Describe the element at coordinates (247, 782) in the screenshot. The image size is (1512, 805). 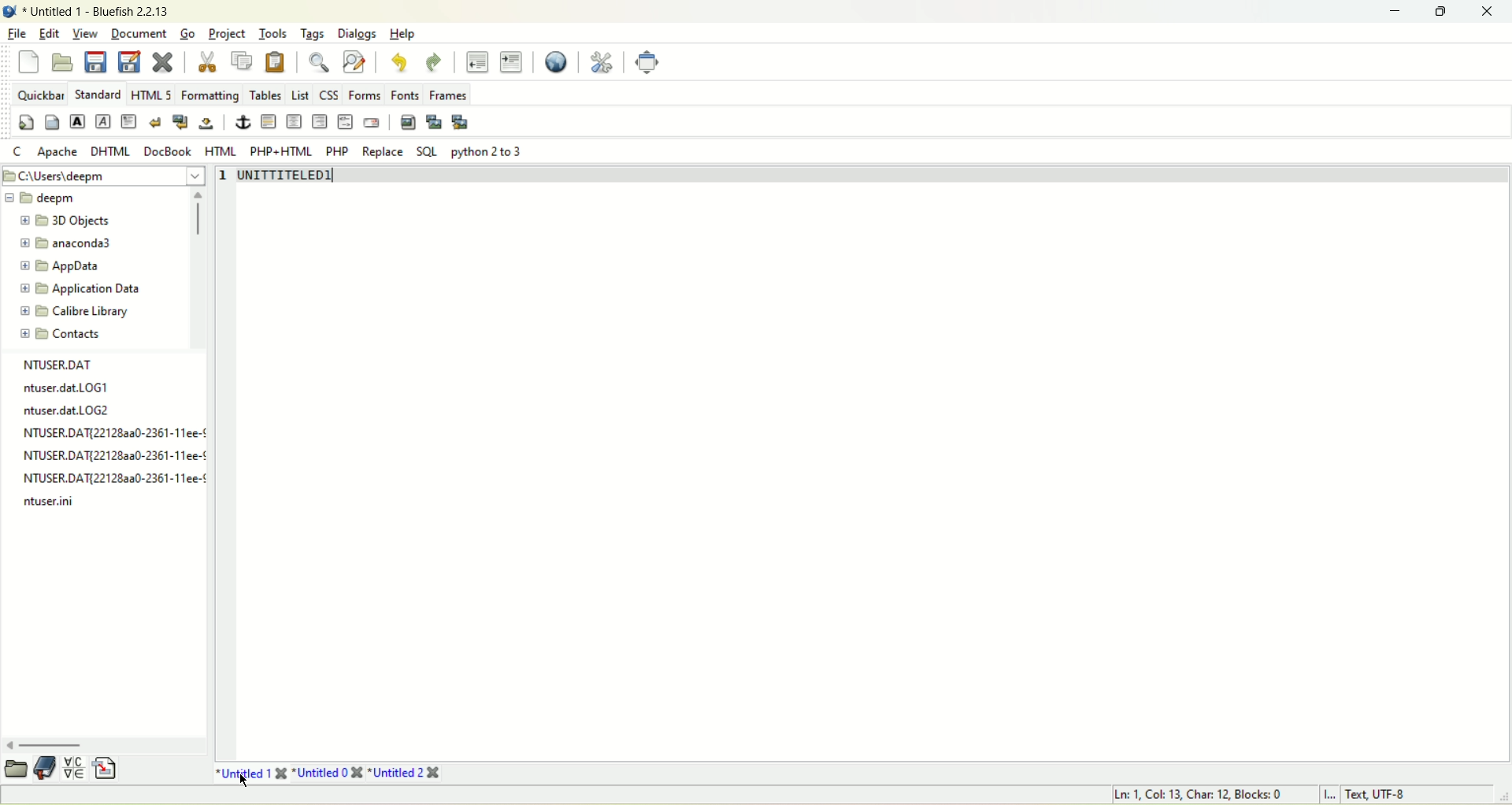
I see `cursor` at that location.